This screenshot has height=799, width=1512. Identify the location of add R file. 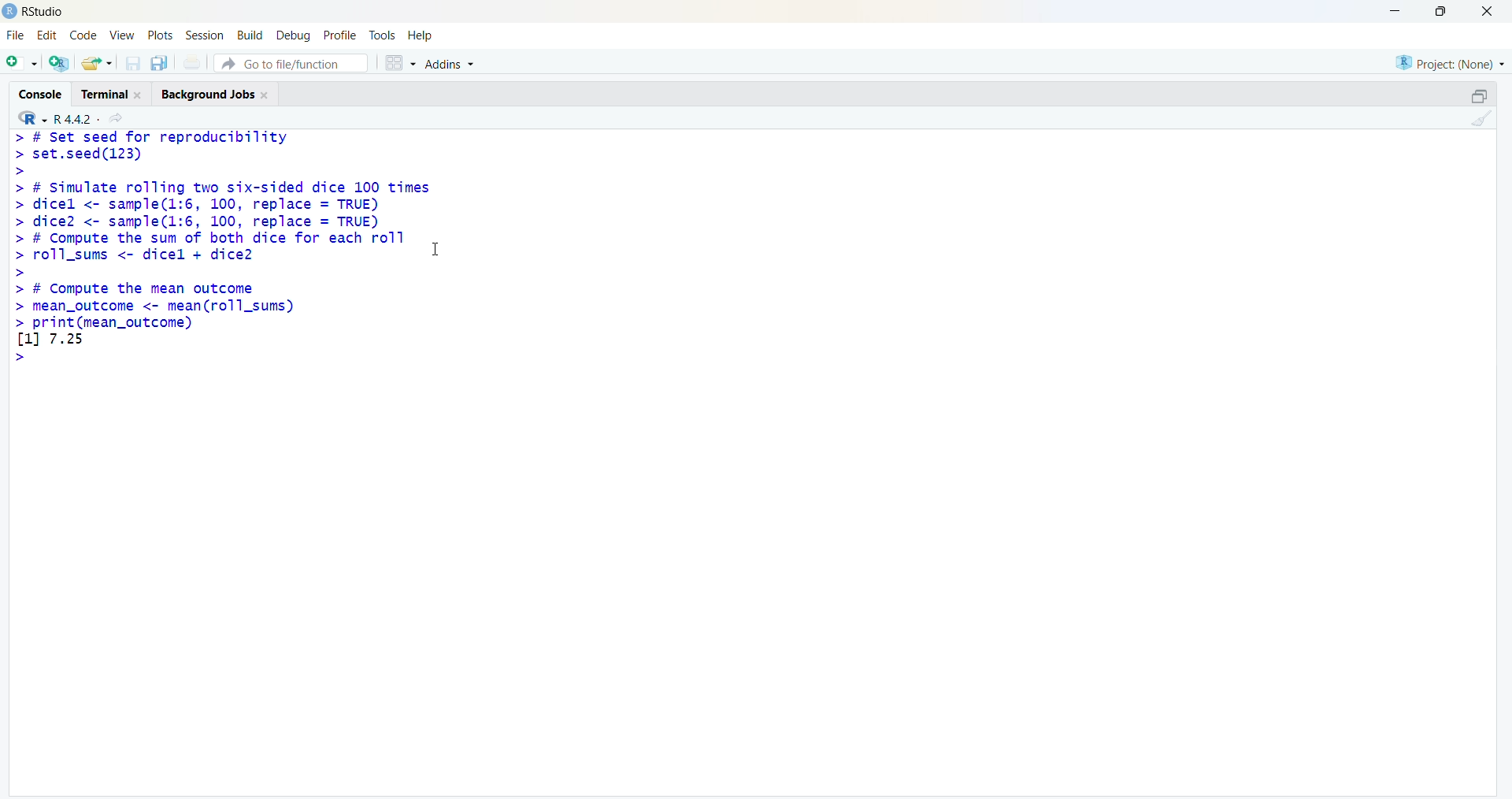
(59, 63).